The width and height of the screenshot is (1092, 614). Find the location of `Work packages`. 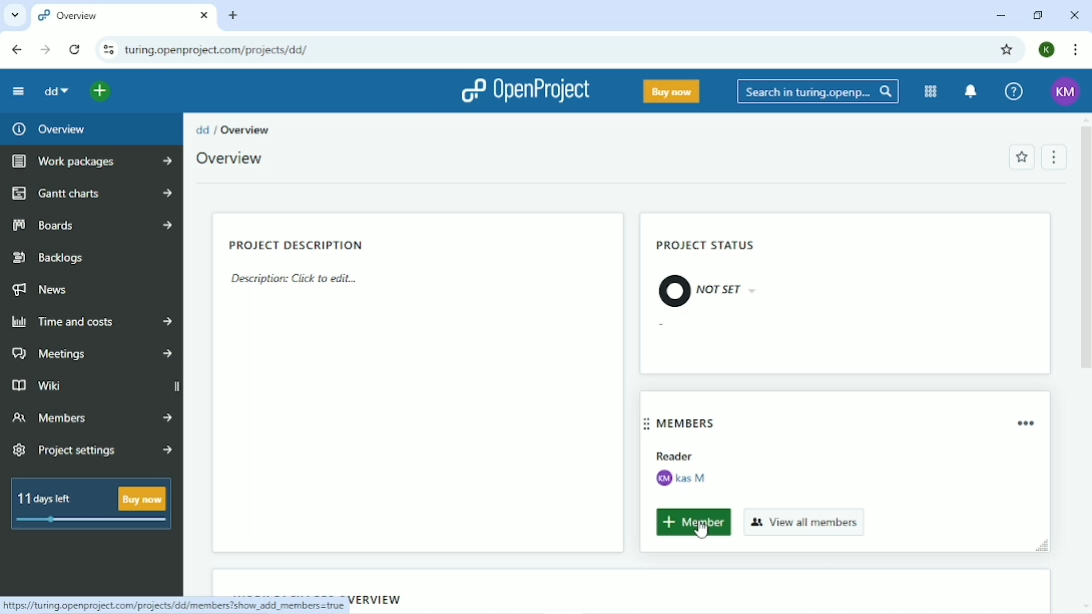

Work packages is located at coordinates (92, 161).